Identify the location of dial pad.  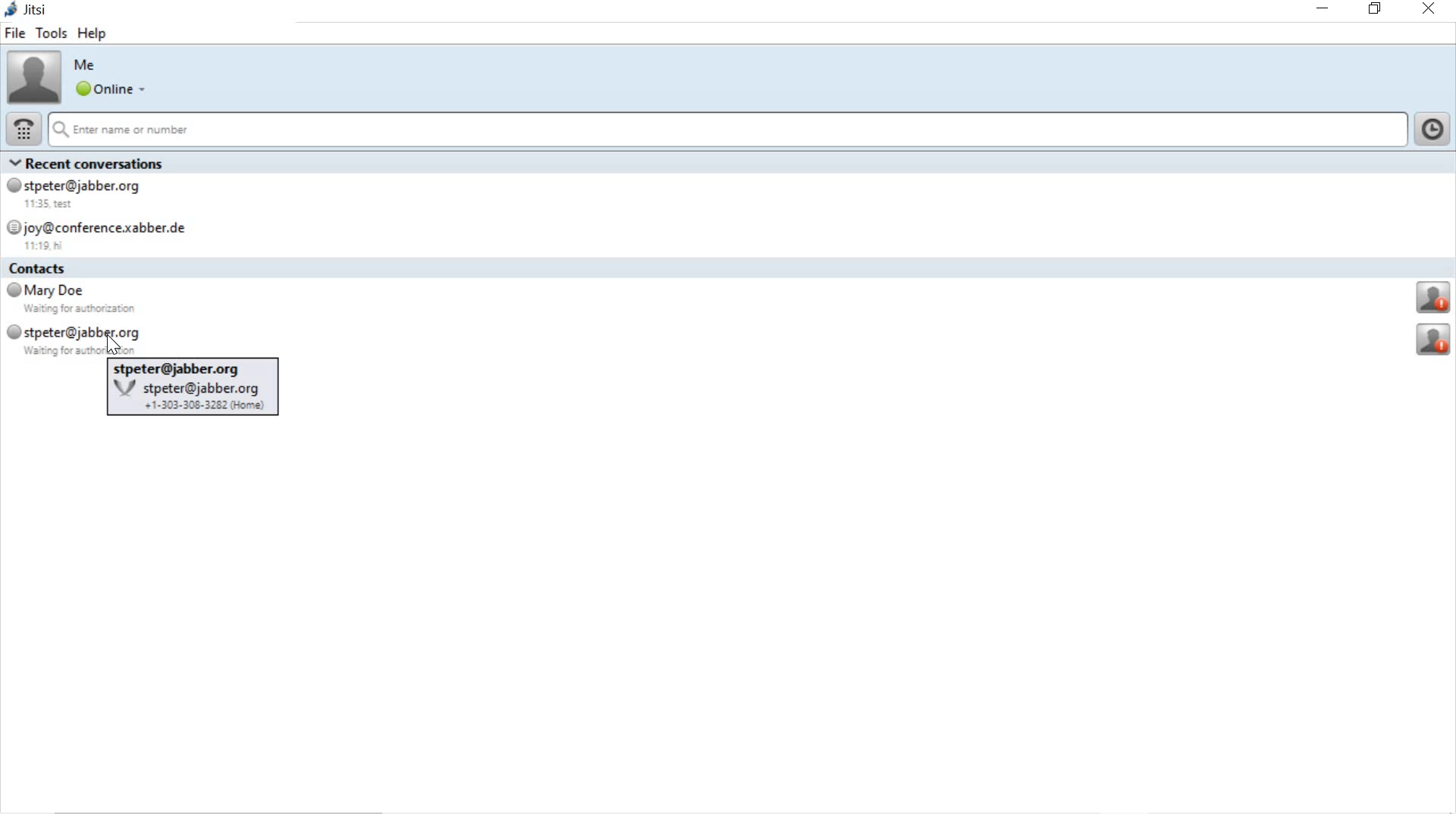
(24, 127).